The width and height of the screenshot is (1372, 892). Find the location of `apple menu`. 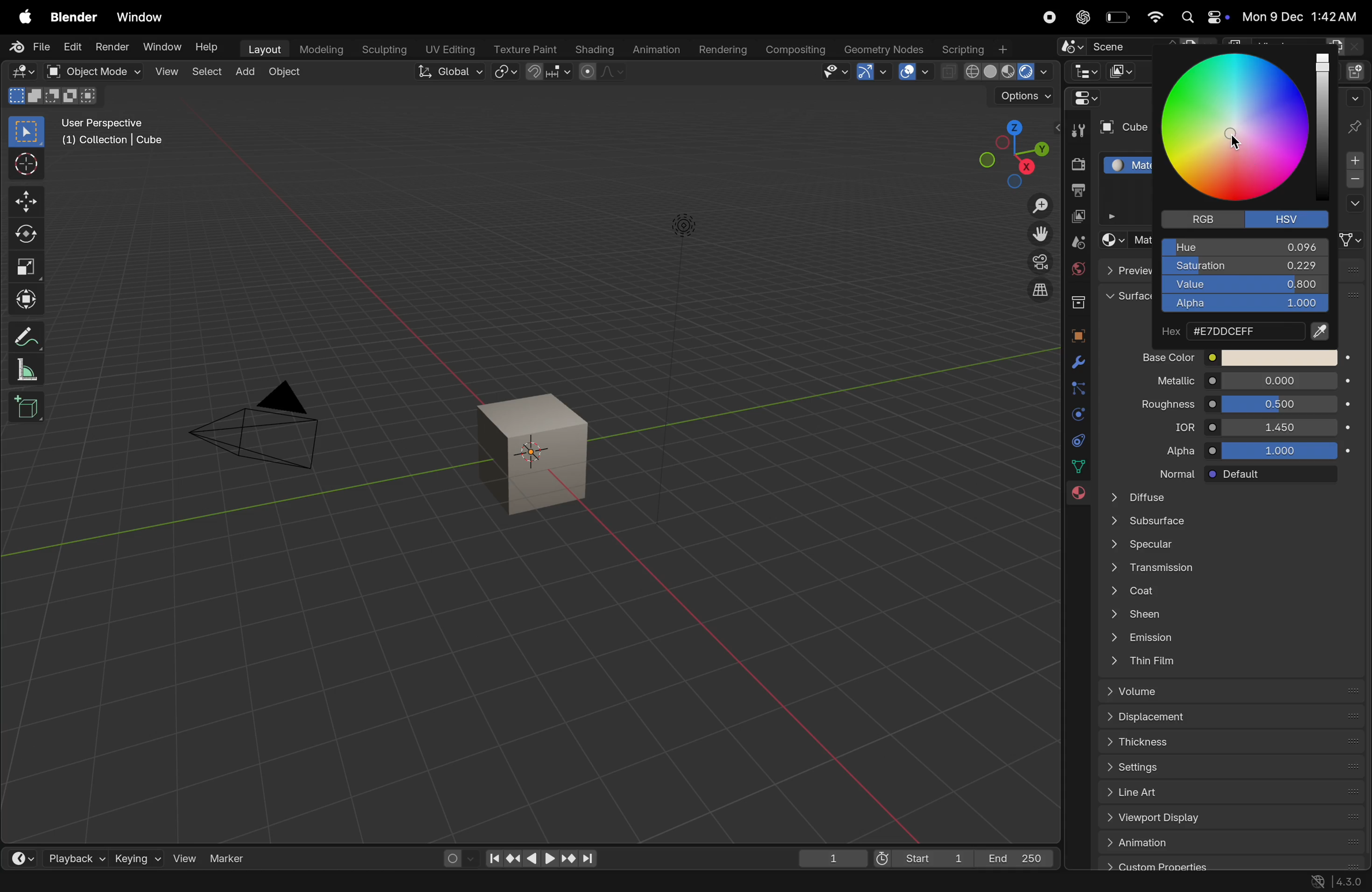

apple menu is located at coordinates (22, 16).